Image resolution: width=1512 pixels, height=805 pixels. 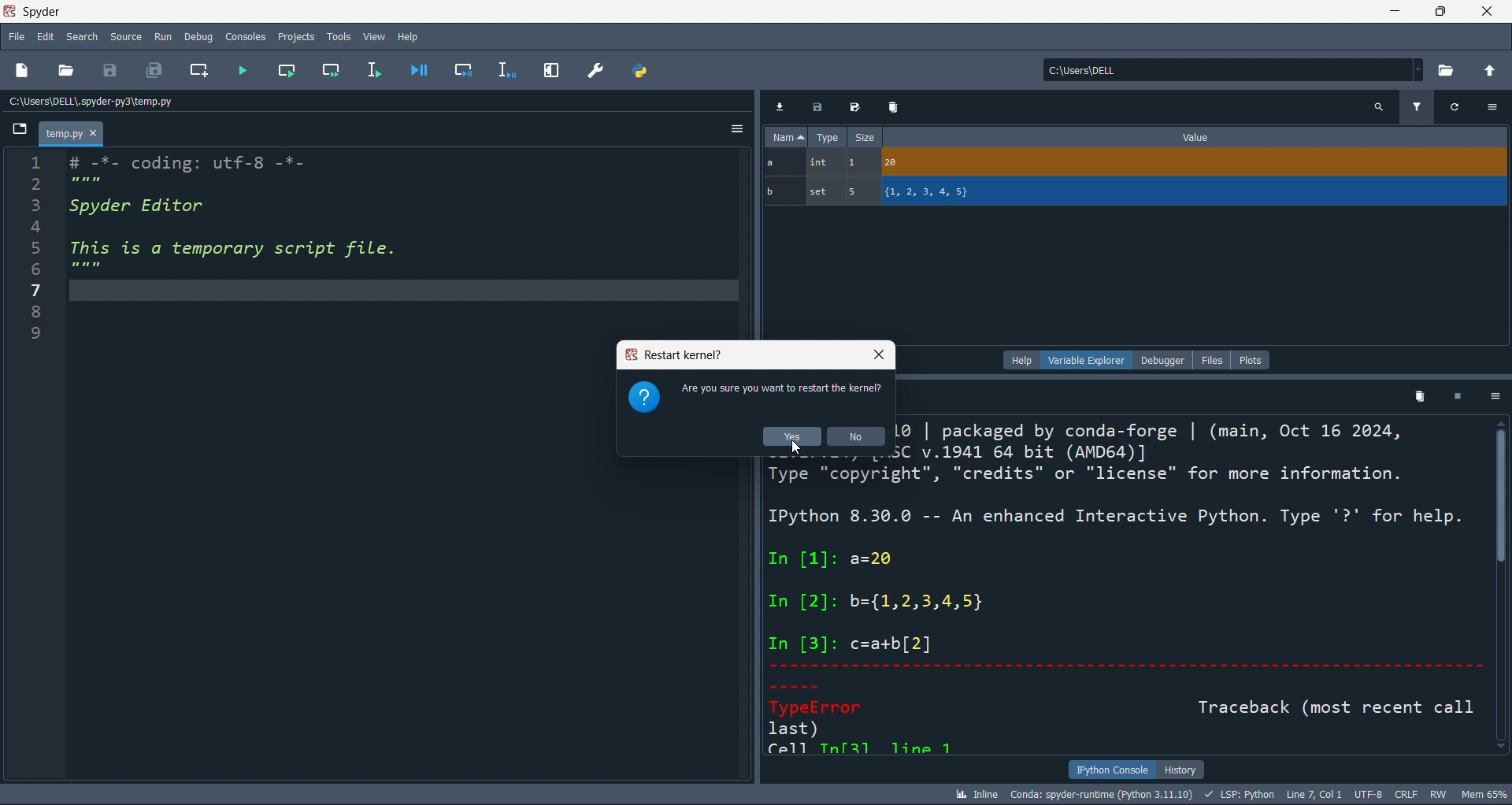 What do you see at coordinates (780, 390) in the screenshot?
I see `are you sure you want to restart the kernel?` at bounding box center [780, 390].